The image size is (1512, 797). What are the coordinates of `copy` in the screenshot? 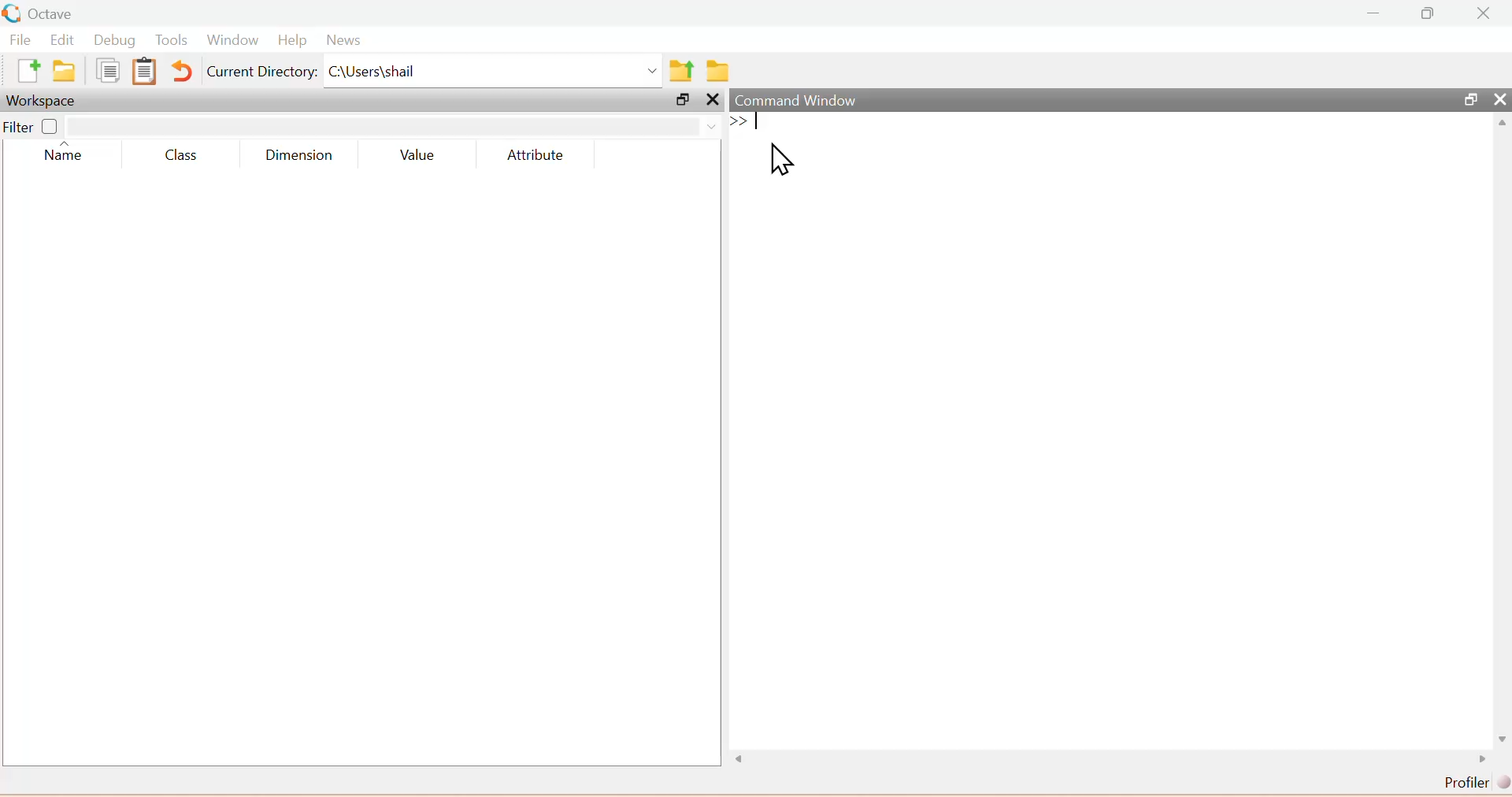 It's located at (108, 70).